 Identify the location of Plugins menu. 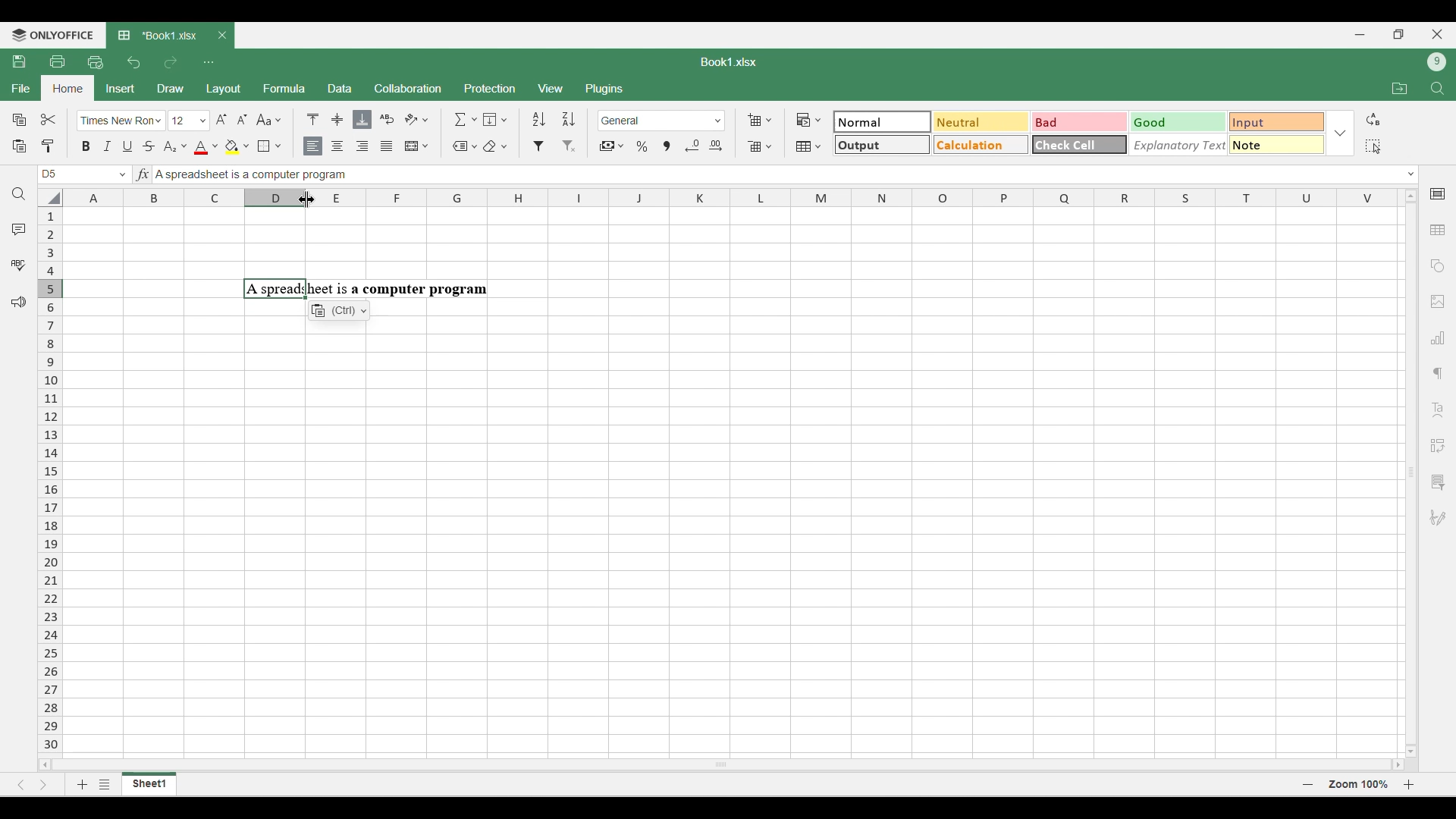
(606, 89).